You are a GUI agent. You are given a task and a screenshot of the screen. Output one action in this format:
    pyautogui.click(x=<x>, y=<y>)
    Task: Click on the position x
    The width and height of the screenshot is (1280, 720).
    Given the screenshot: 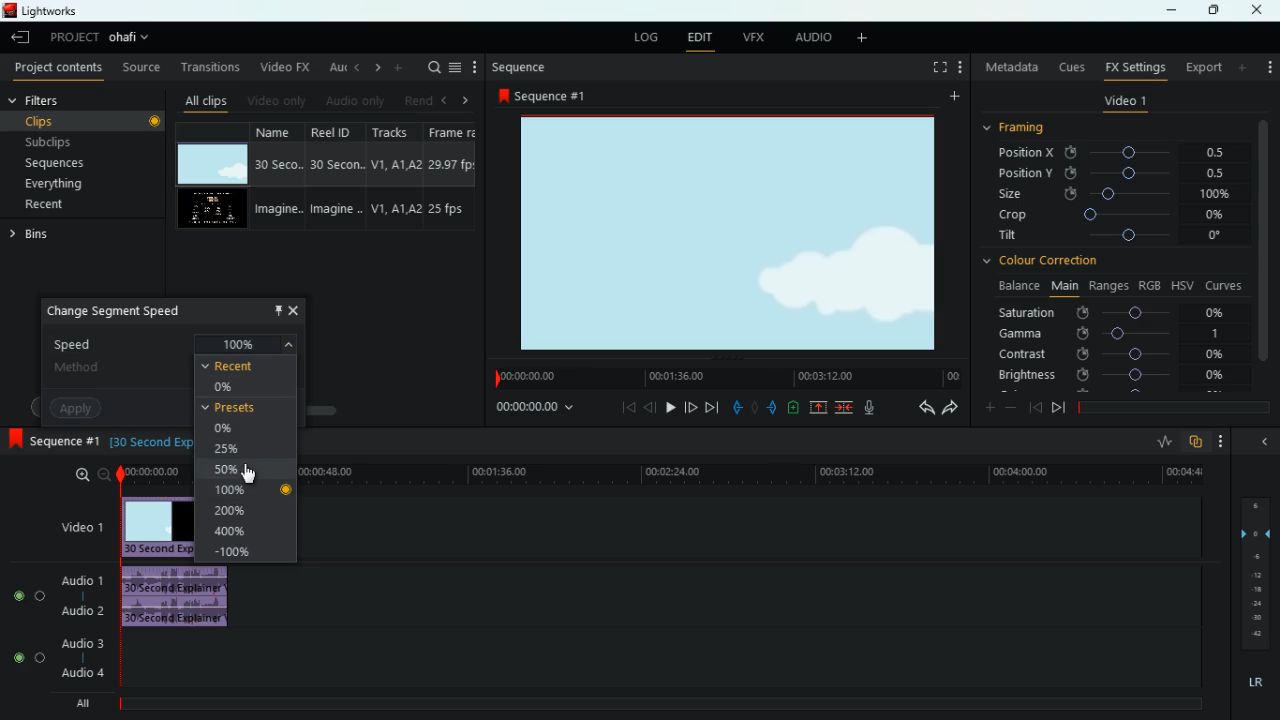 What is the action you would take?
    pyautogui.click(x=1116, y=152)
    